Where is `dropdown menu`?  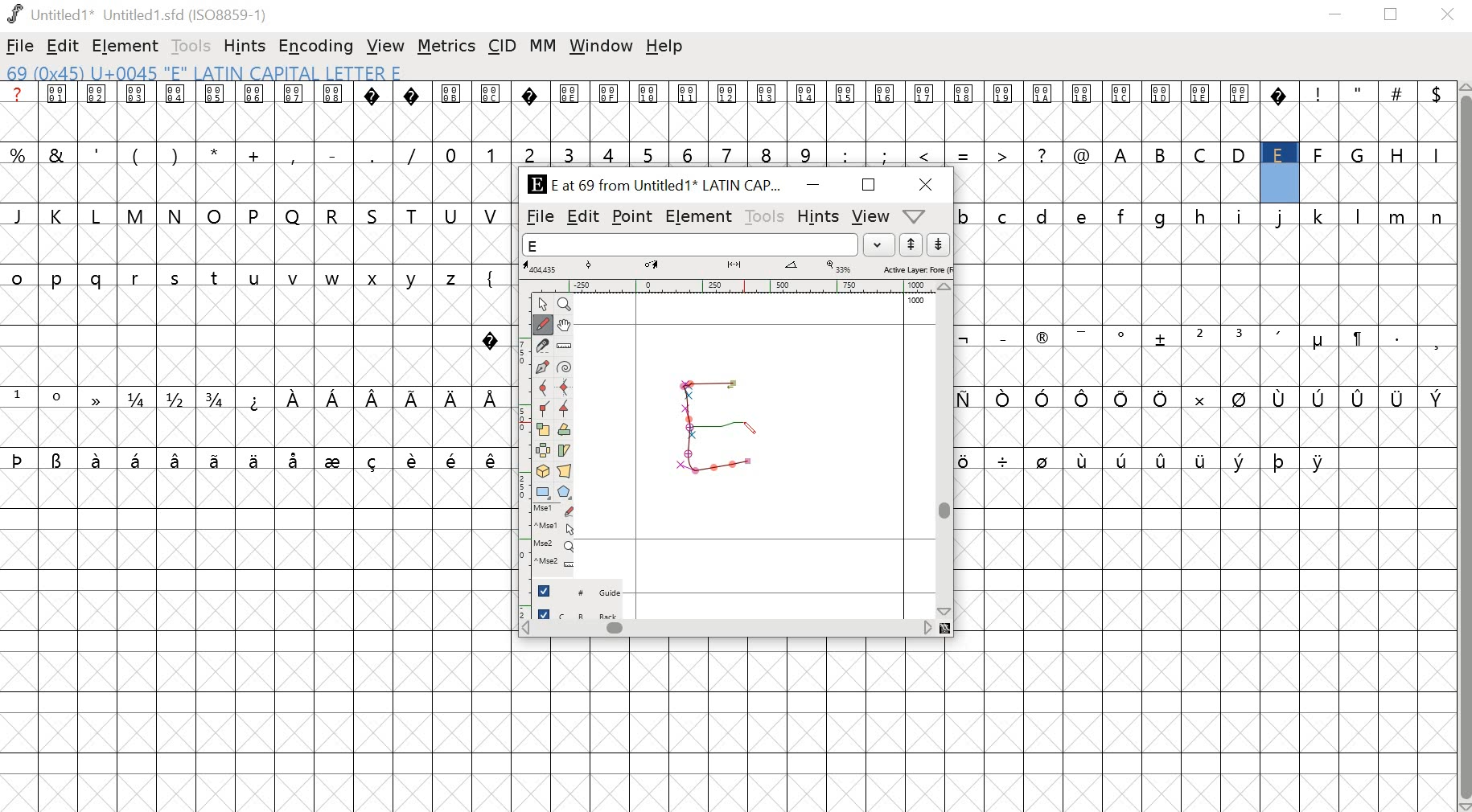 dropdown menu is located at coordinates (921, 215).